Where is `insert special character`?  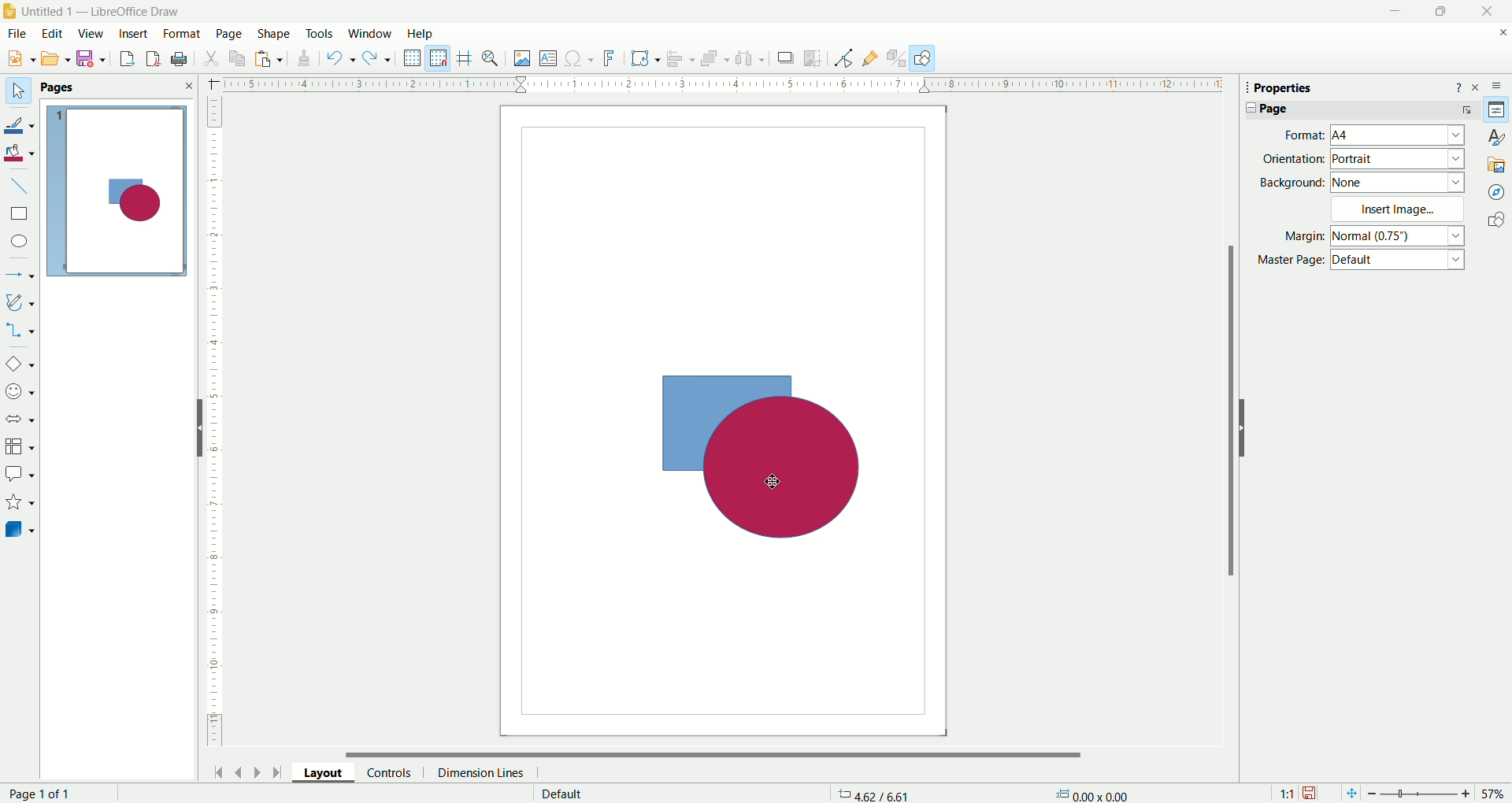 insert special character is located at coordinates (580, 59).